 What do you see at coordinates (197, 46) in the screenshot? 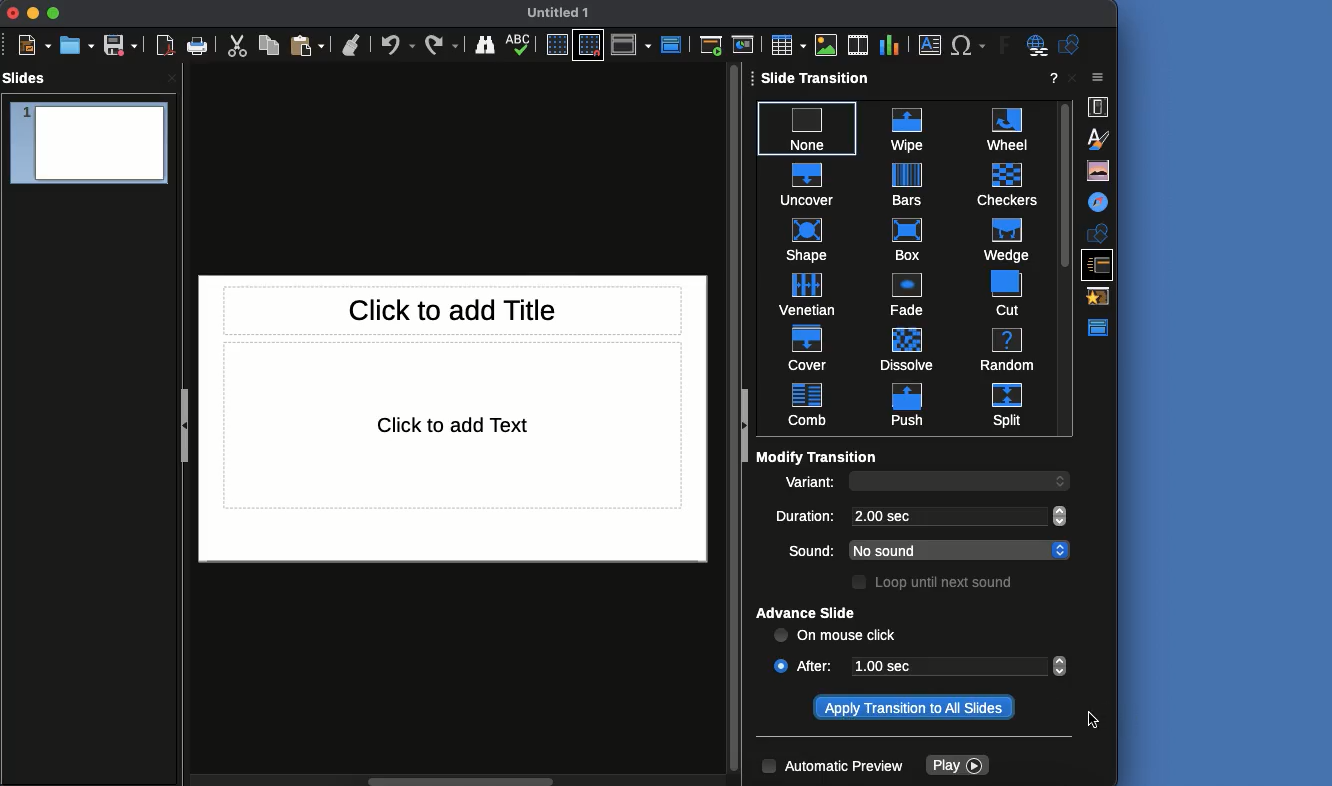
I see `Print` at bounding box center [197, 46].